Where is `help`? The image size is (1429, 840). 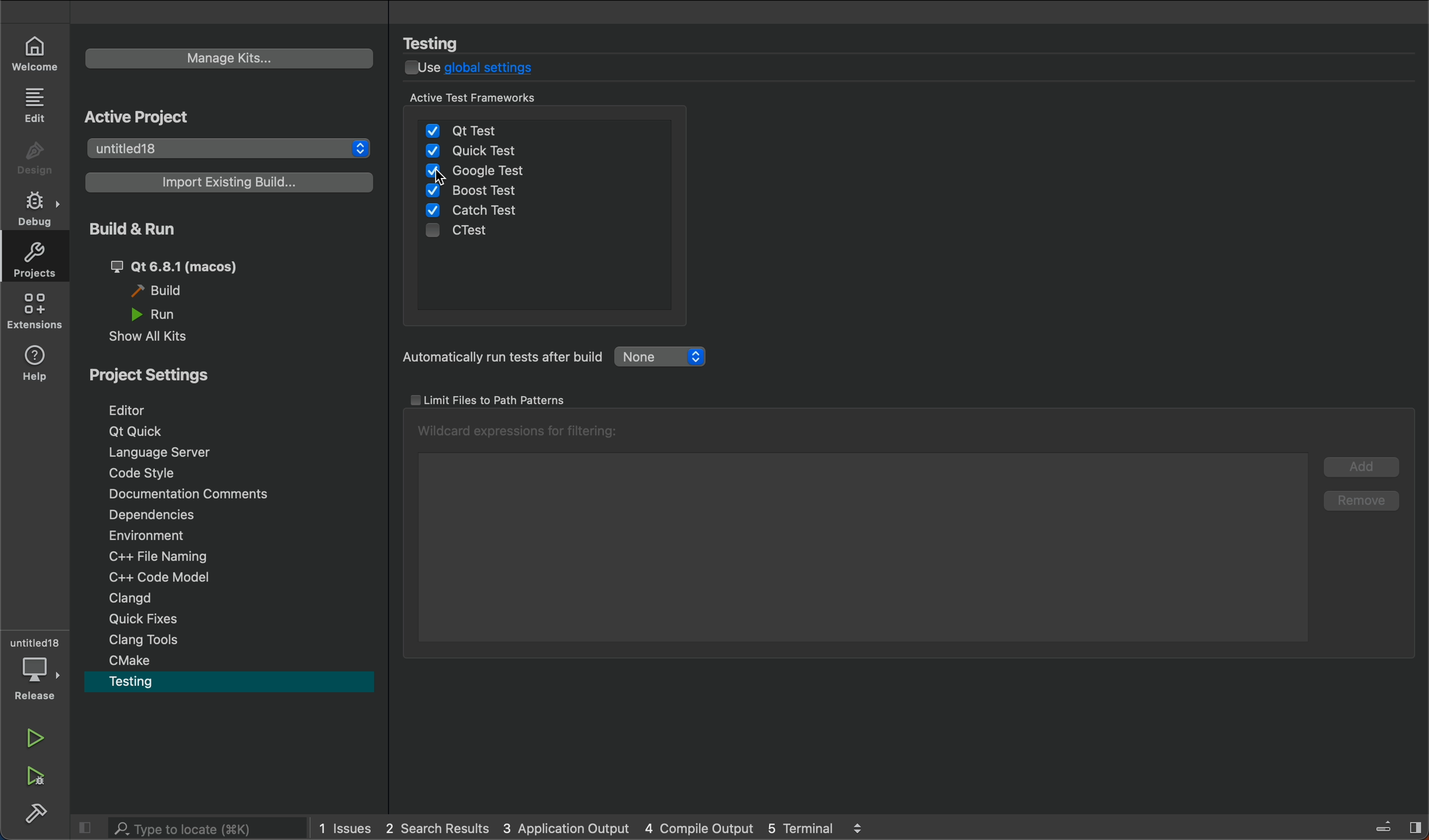
help is located at coordinates (36, 362).